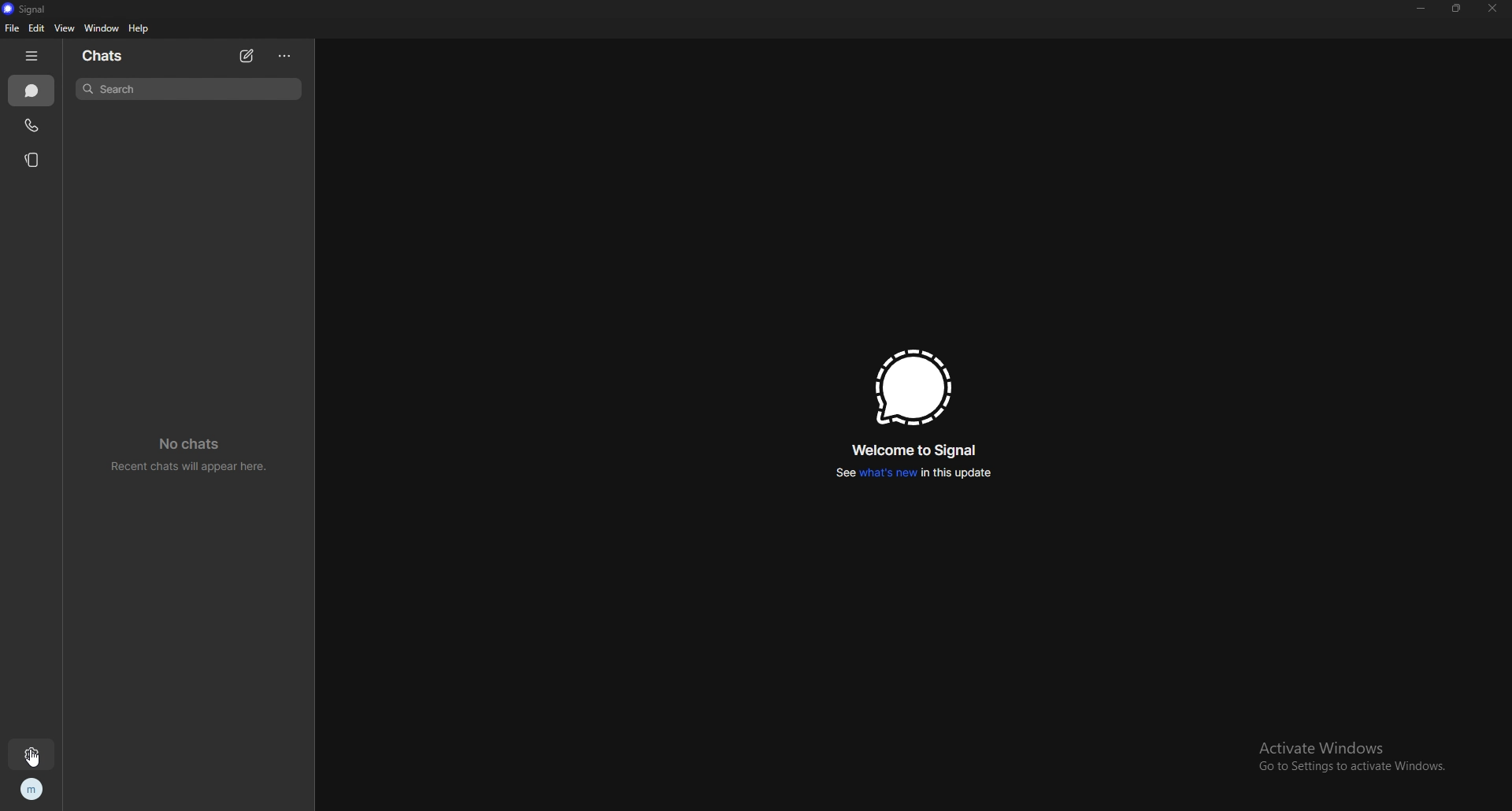  I want to click on stories, so click(36, 160).